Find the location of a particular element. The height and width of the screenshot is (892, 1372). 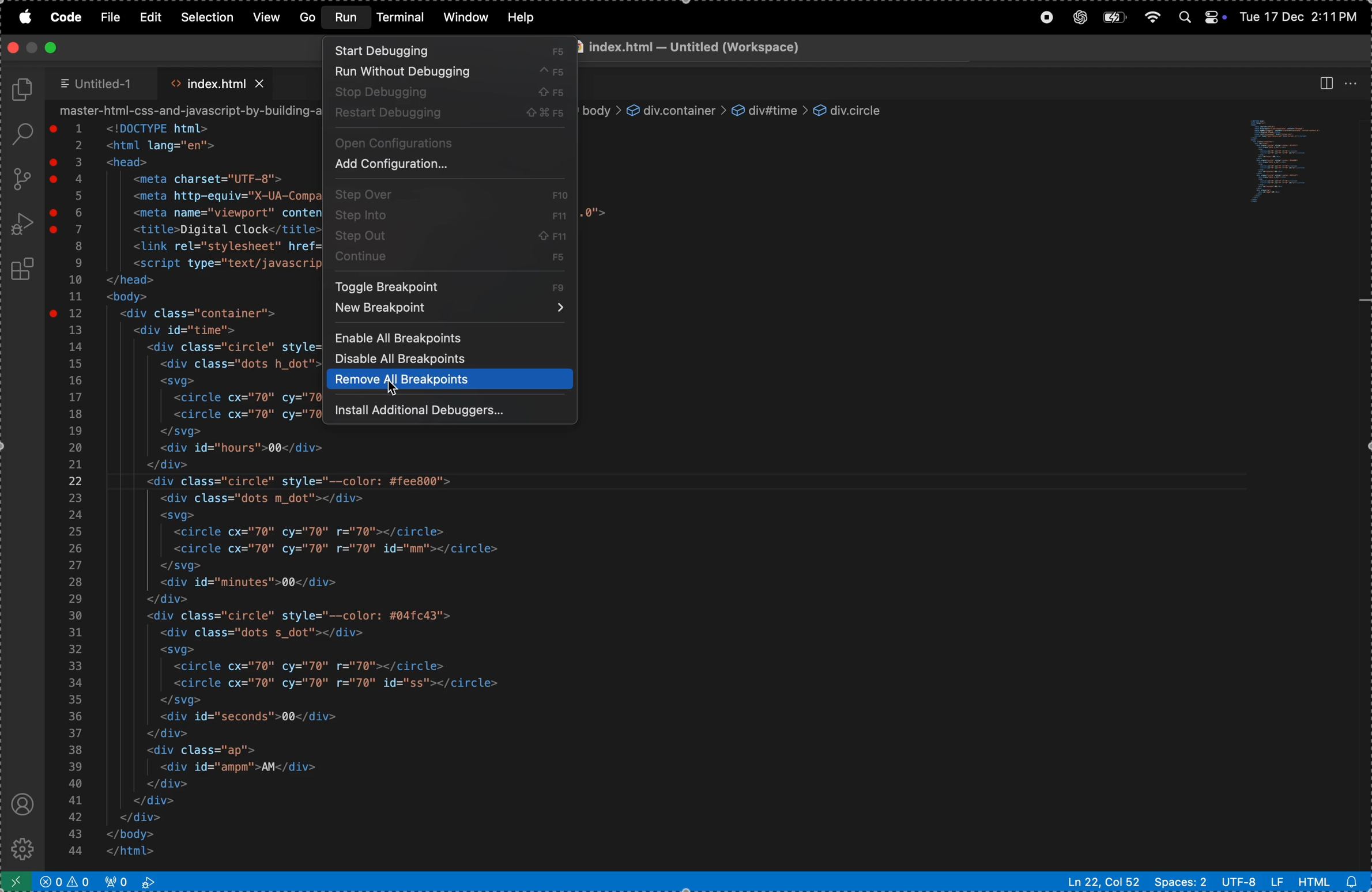

code block written in html for a web page is located at coordinates (342, 649).